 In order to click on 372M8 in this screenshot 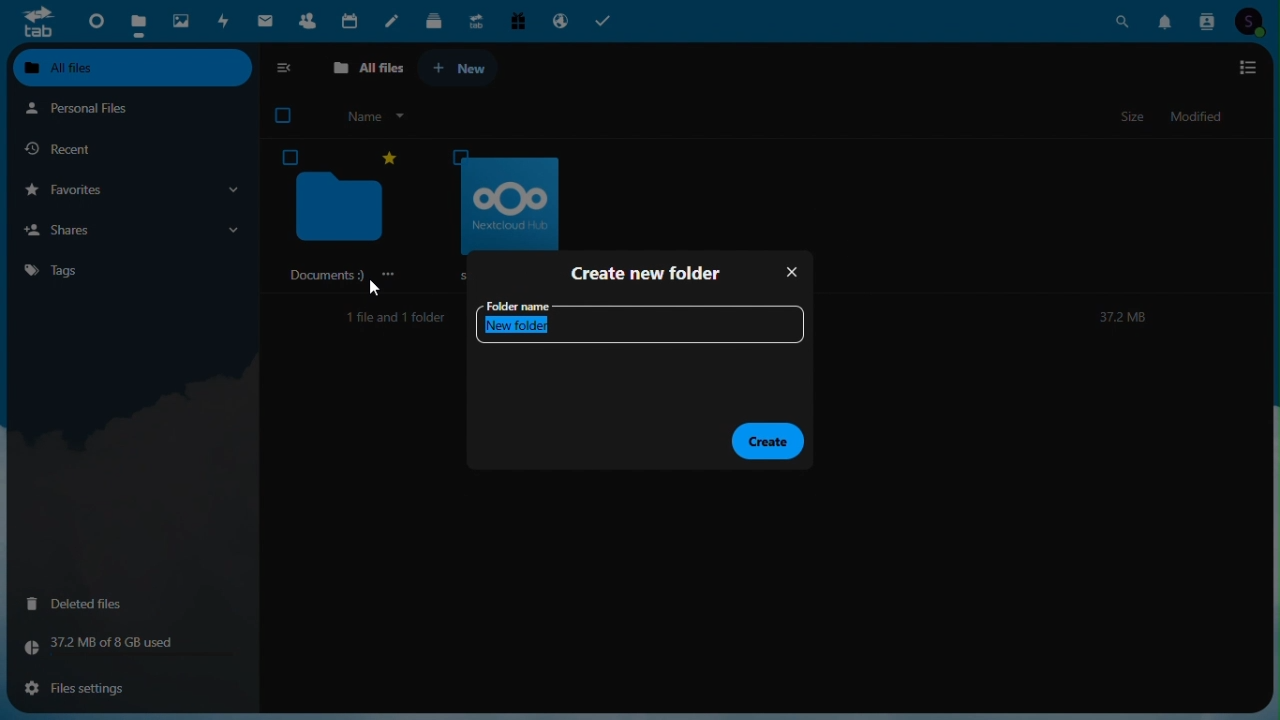, I will do `click(1126, 317)`.